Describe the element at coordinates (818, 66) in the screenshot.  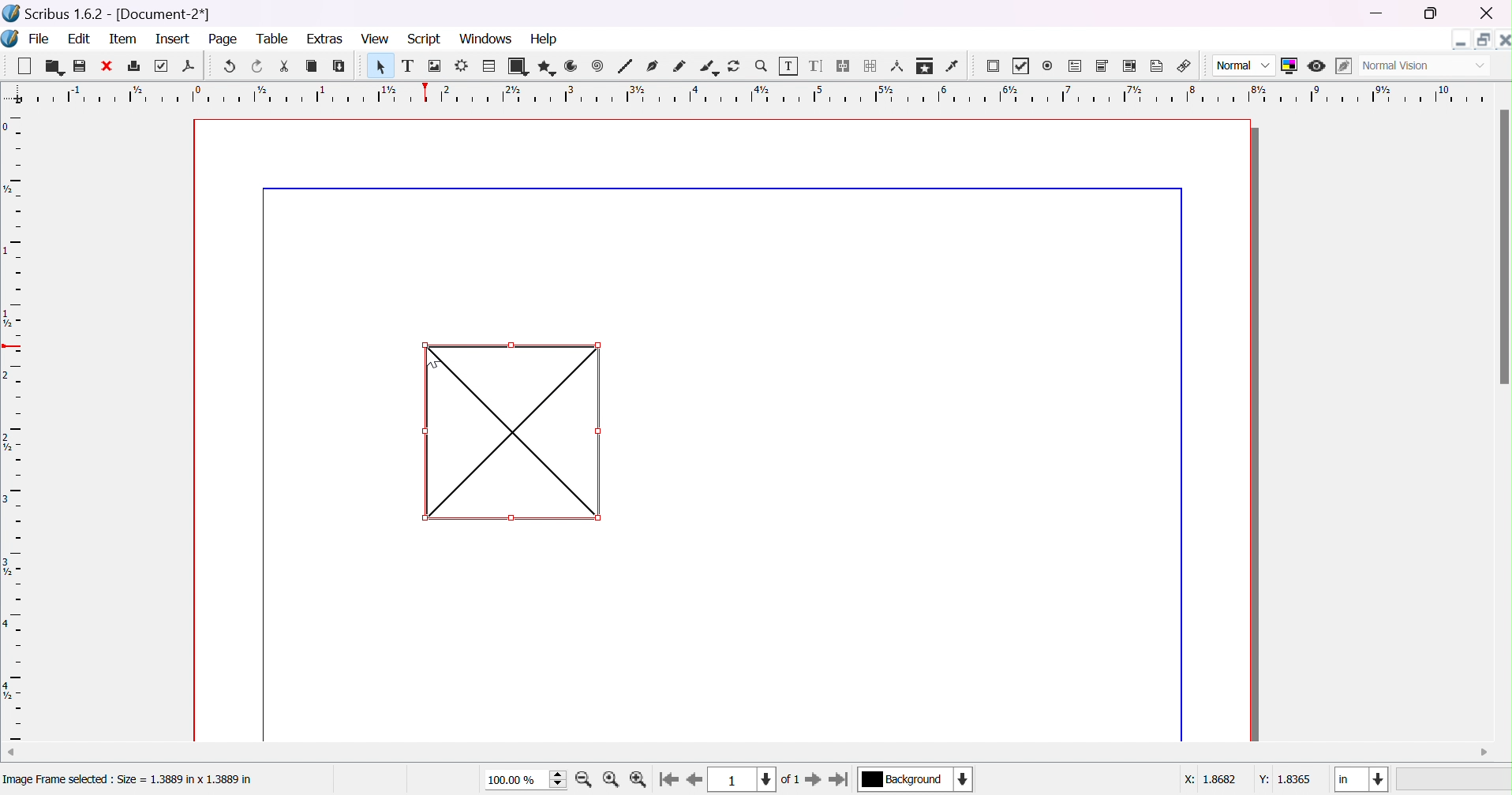
I see `edit text with story editor` at that location.